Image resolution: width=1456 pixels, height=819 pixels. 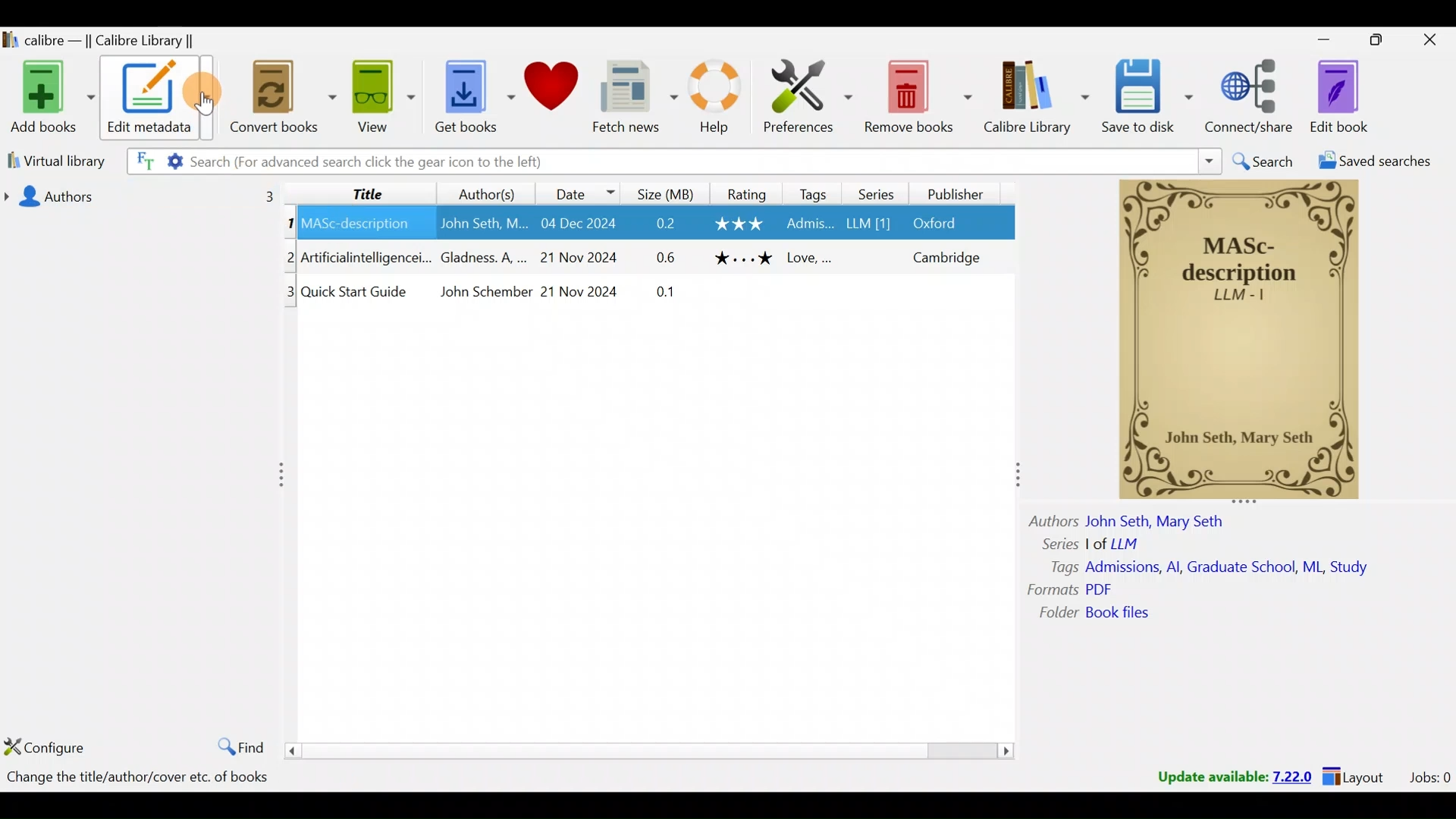 What do you see at coordinates (748, 192) in the screenshot?
I see `Rating` at bounding box center [748, 192].